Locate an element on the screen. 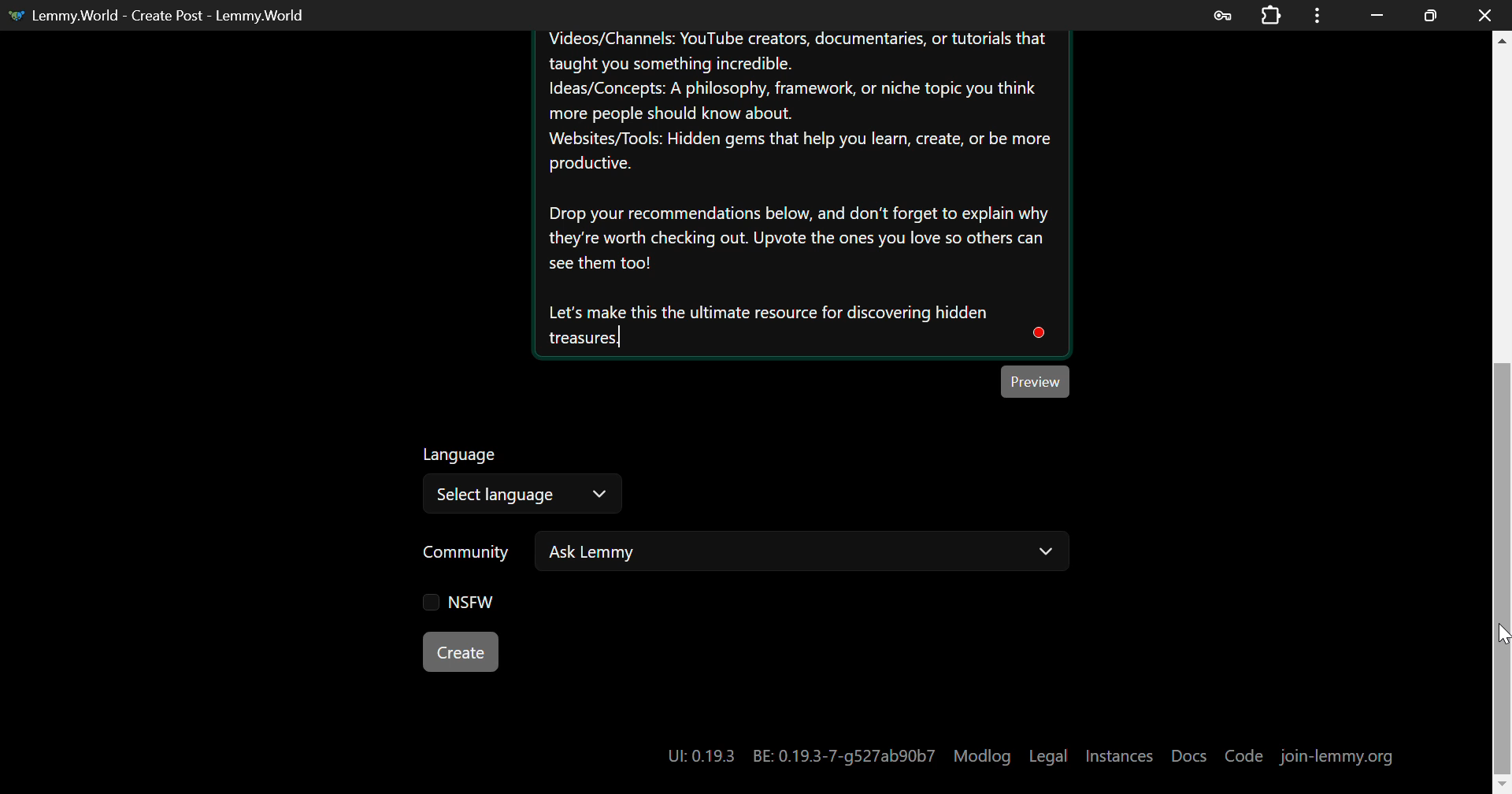 The height and width of the screenshot is (794, 1512). Community: Ask Lemmy is located at coordinates (727, 558).